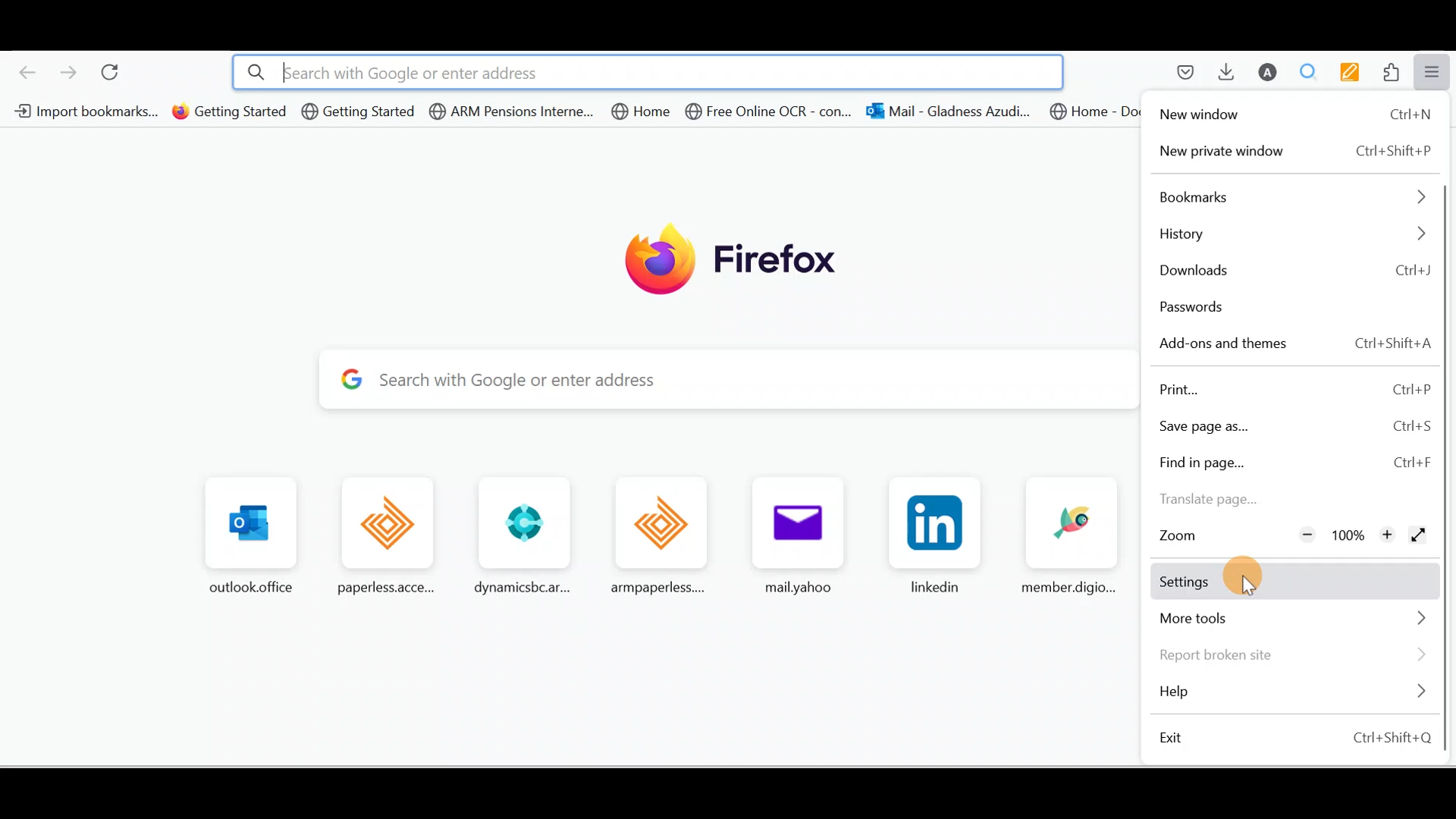 The image size is (1456, 819). What do you see at coordinates (730, 262) in the screenshot?
I see `Firefox logo` at bounding box center [730, 262].